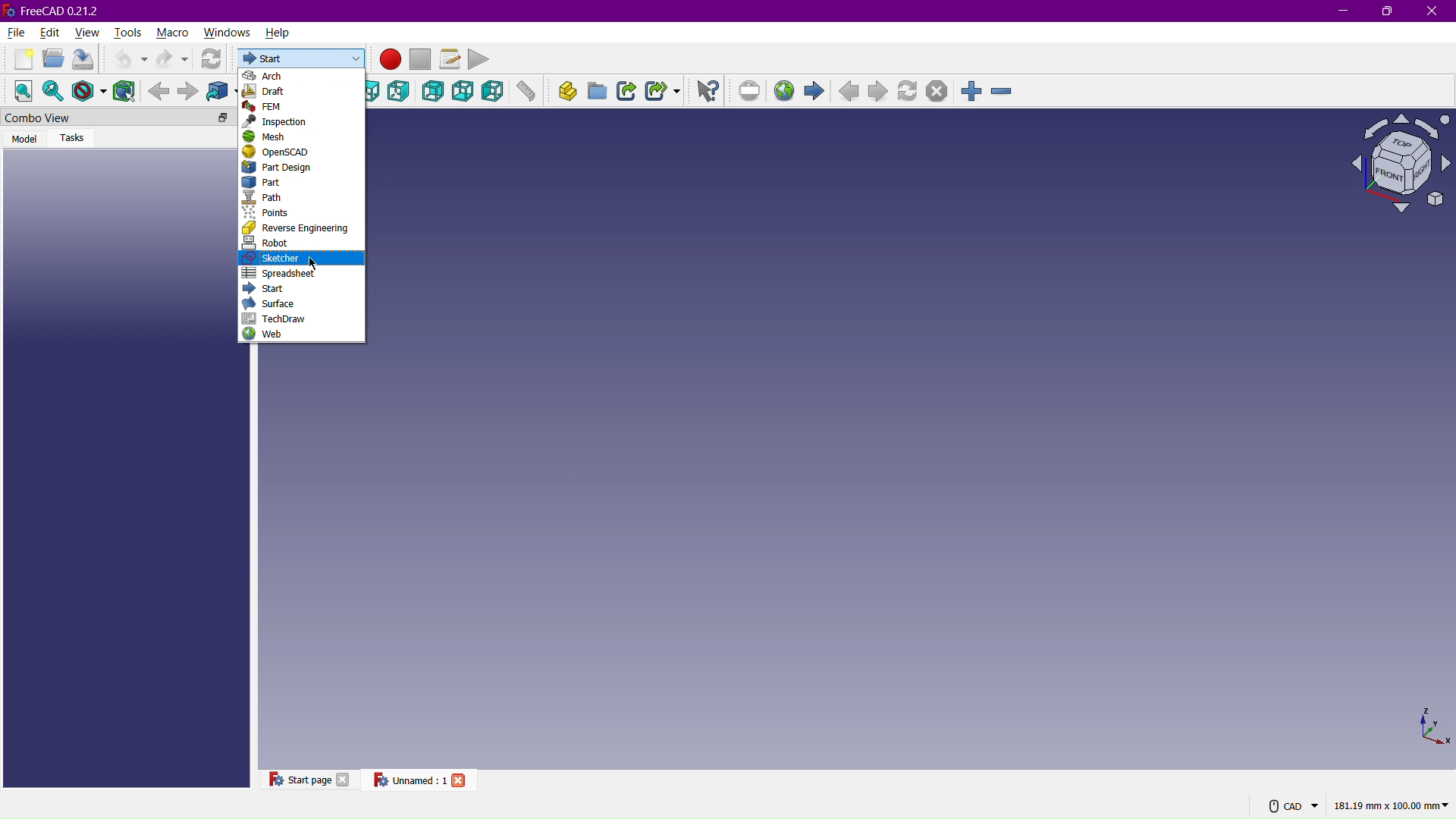  What do you see at coordinates (848, 93) in the screenshot?
I see `Previous Page` at bounding box center [848, 93].